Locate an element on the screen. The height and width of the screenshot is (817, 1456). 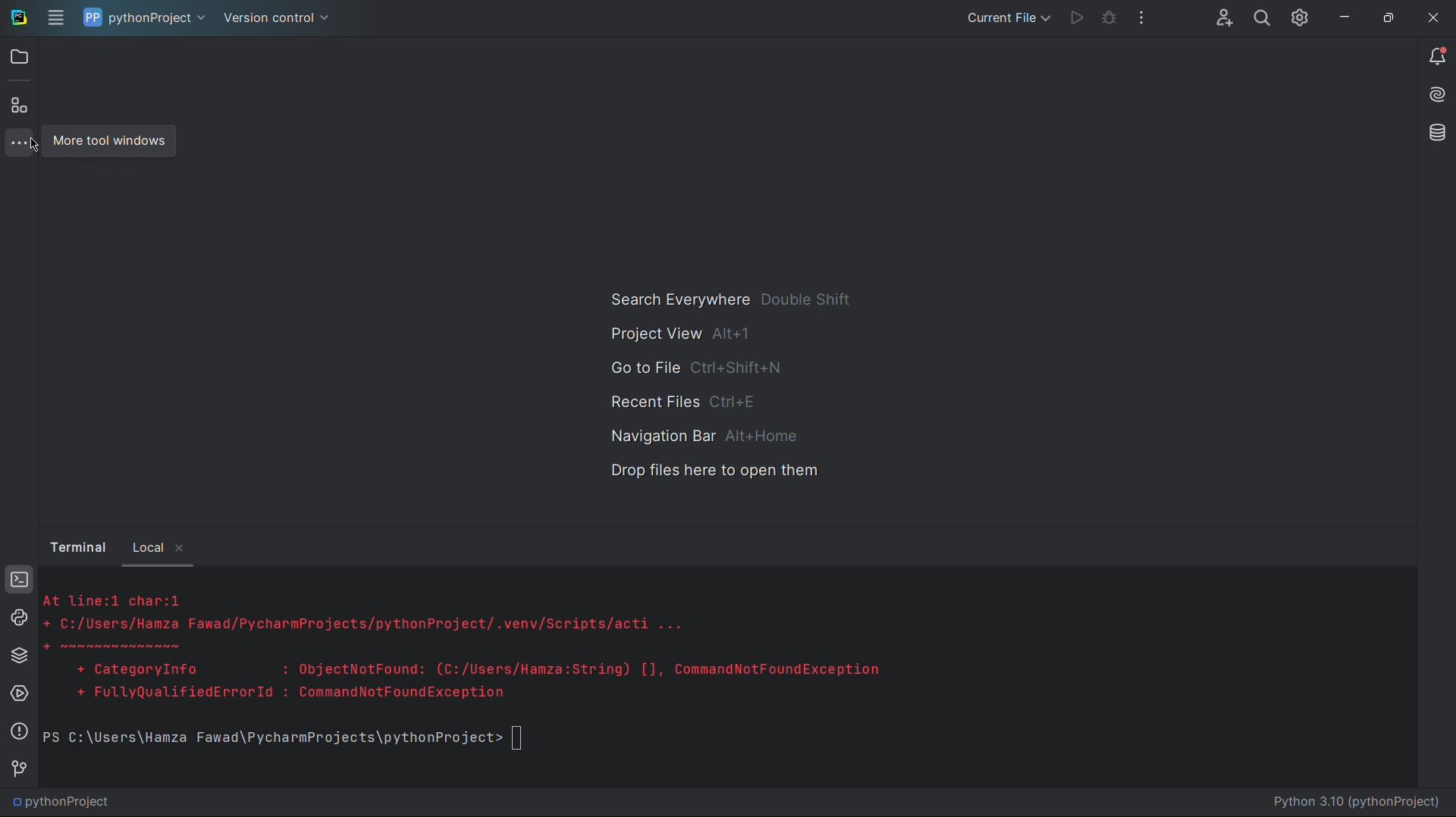
Local is located at coordinates (165, 546).